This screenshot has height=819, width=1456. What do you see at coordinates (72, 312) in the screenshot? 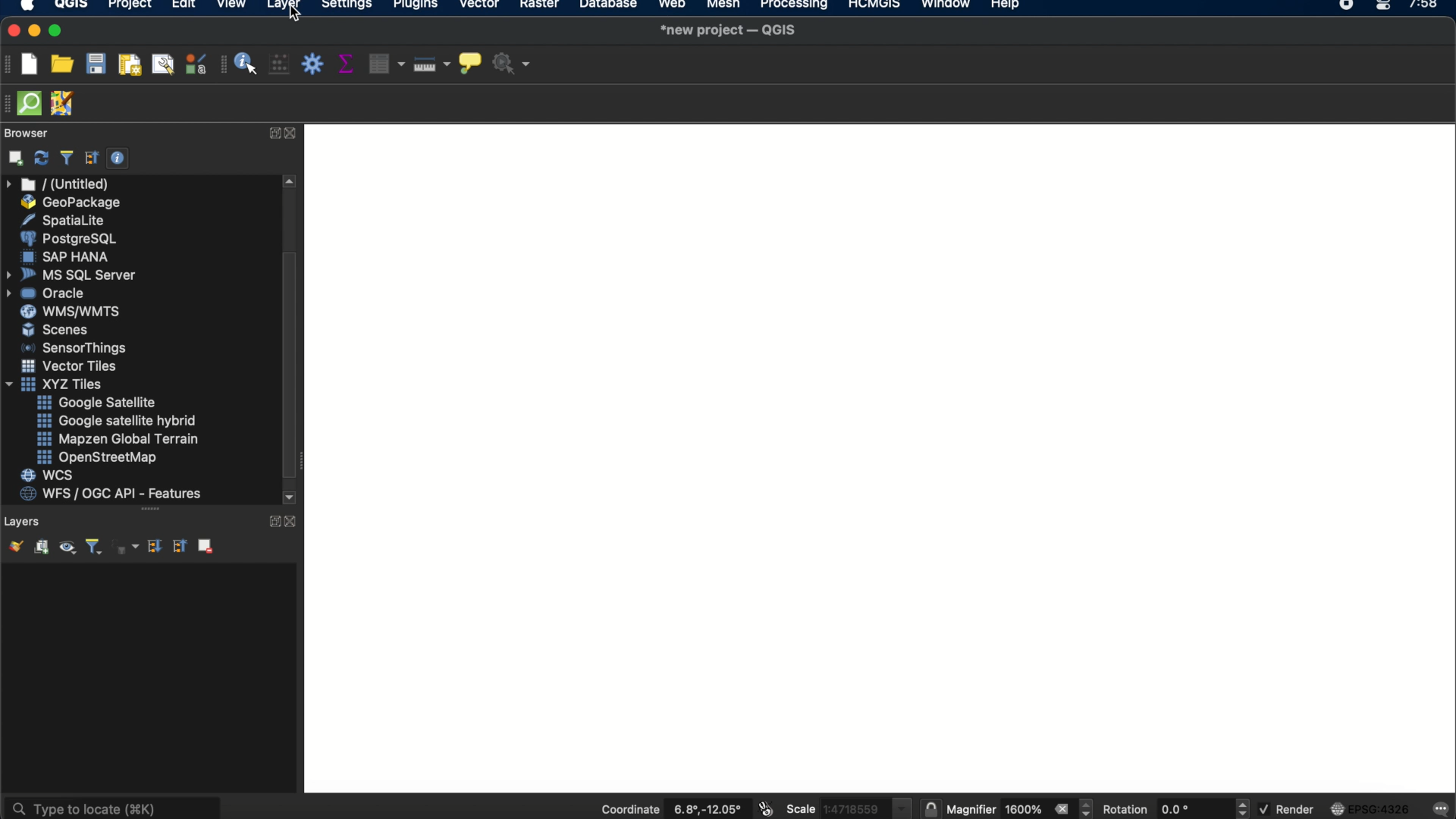
I see `wms/wmts` at bounding box center [72, 312].